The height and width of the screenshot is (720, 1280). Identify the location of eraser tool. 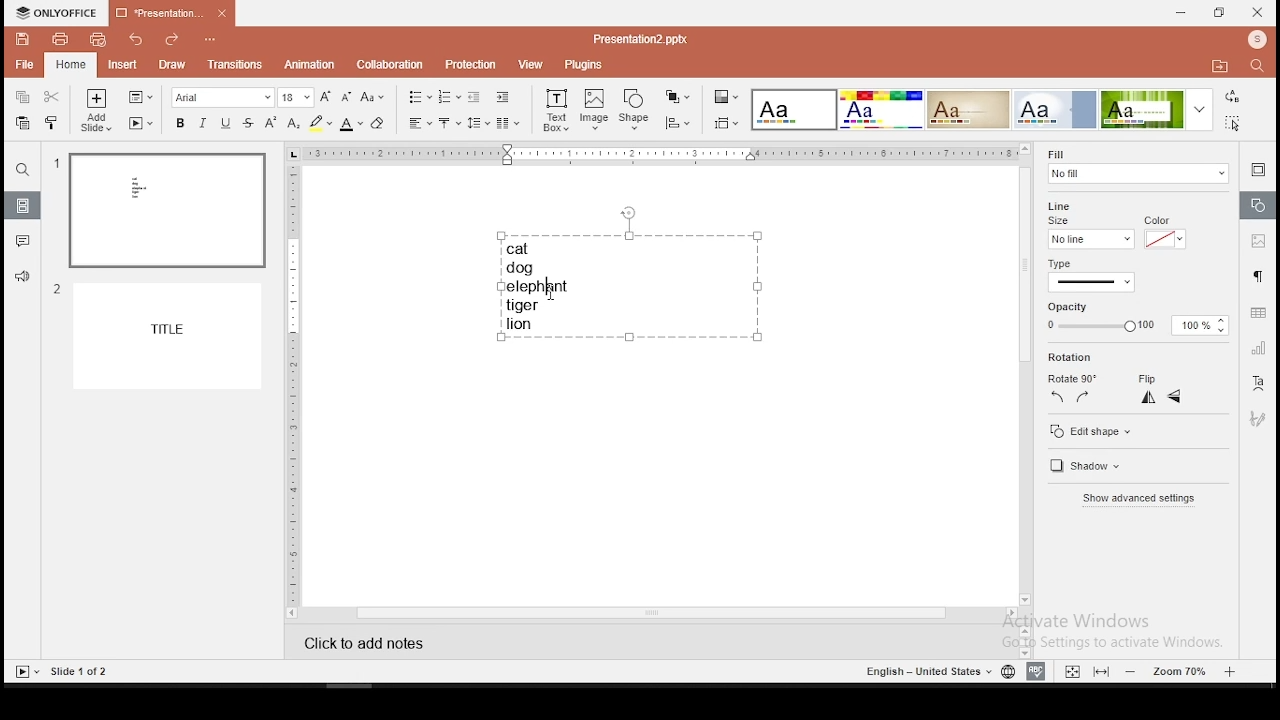
(378, 125).